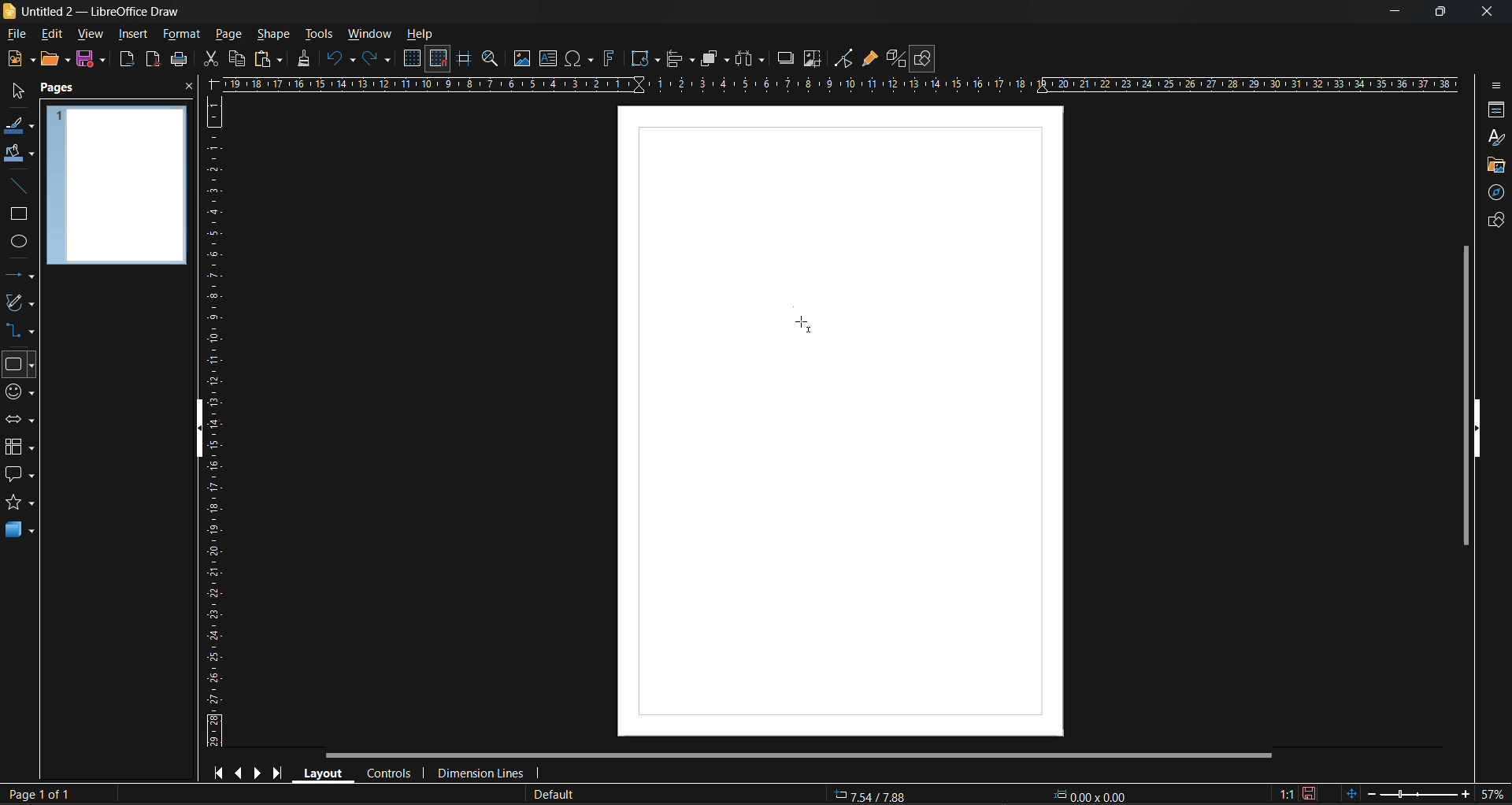 The image size is (1512, 805). I want to click on select, so click(17, 88).